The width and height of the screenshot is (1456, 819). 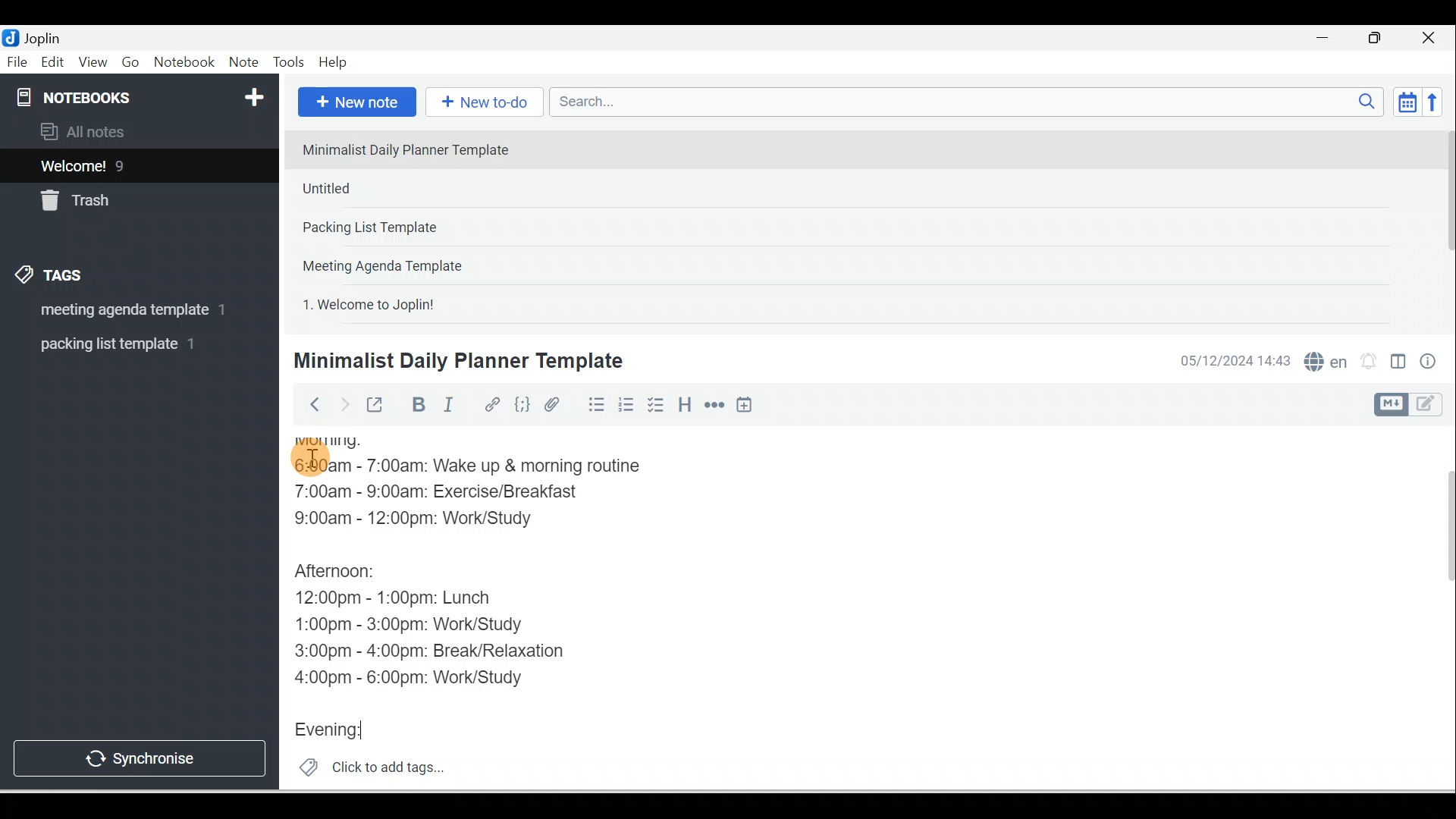 I want to click on Close, so click(x=1432, y=38).